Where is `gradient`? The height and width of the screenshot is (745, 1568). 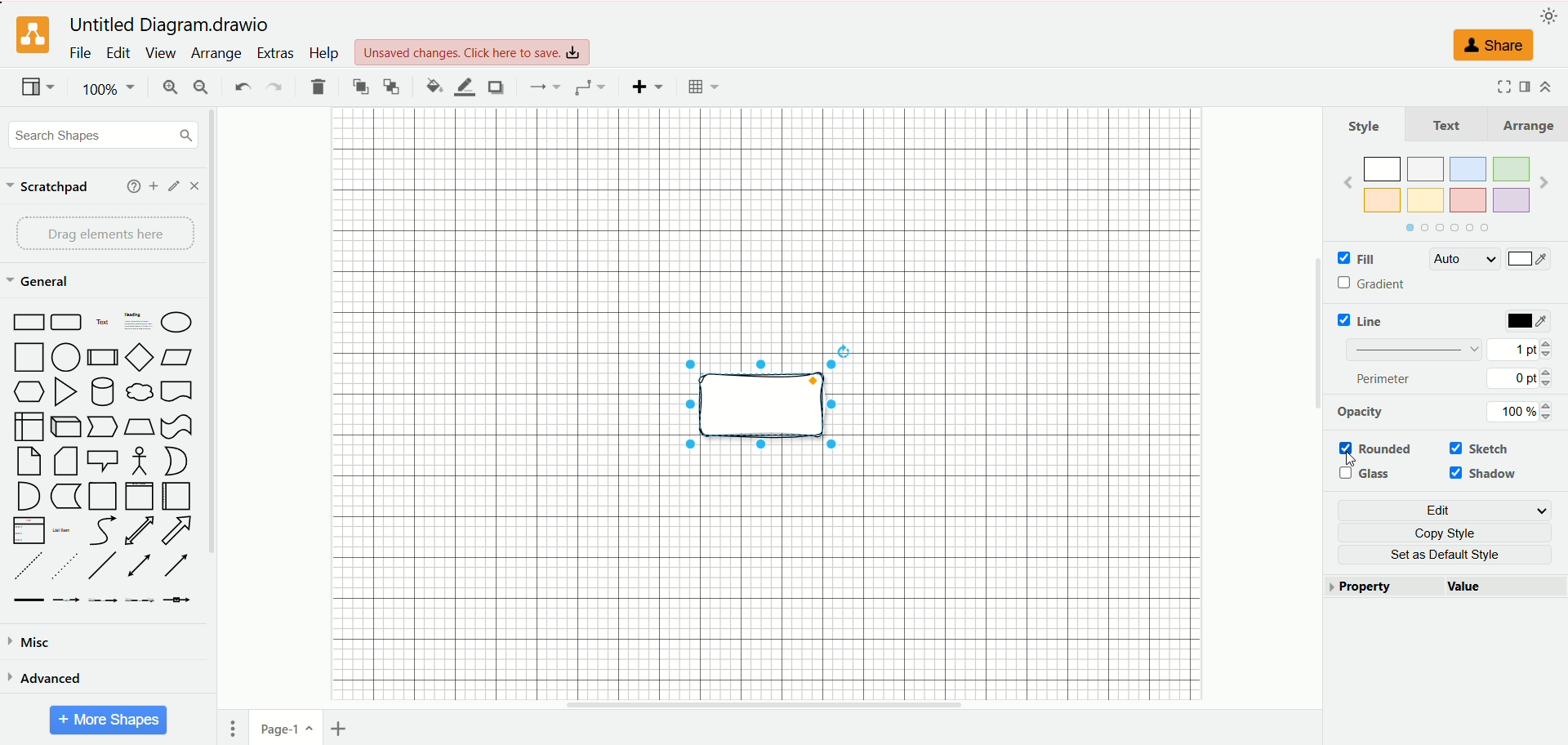
gradient is located at coordinates (1374, 284).